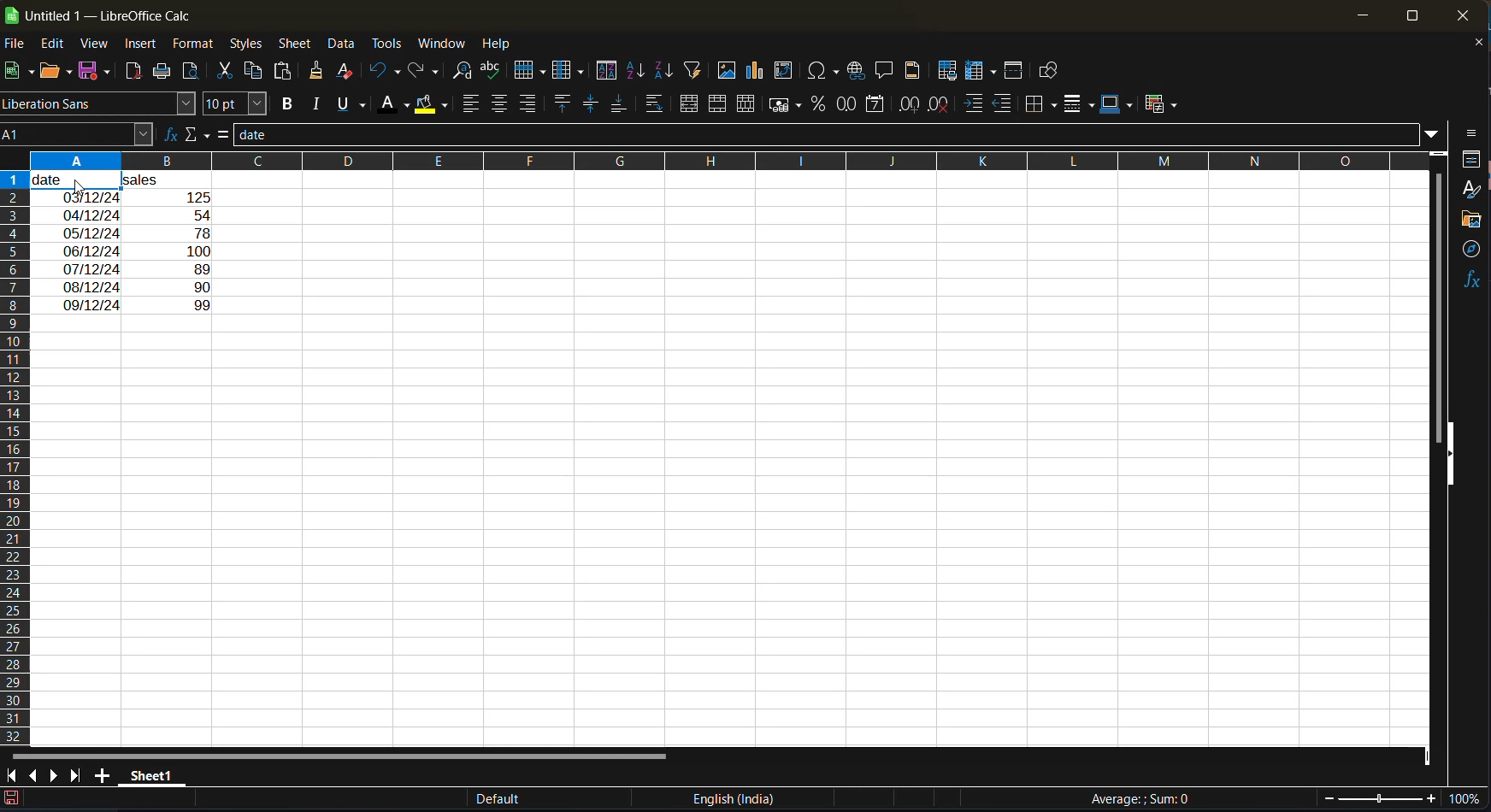 This screenshot has height=812, width=1491. What do you see at coordinates (56, 778) in the screenshot?
I see `scroll to next sheet` at bounding box center [56, 778].